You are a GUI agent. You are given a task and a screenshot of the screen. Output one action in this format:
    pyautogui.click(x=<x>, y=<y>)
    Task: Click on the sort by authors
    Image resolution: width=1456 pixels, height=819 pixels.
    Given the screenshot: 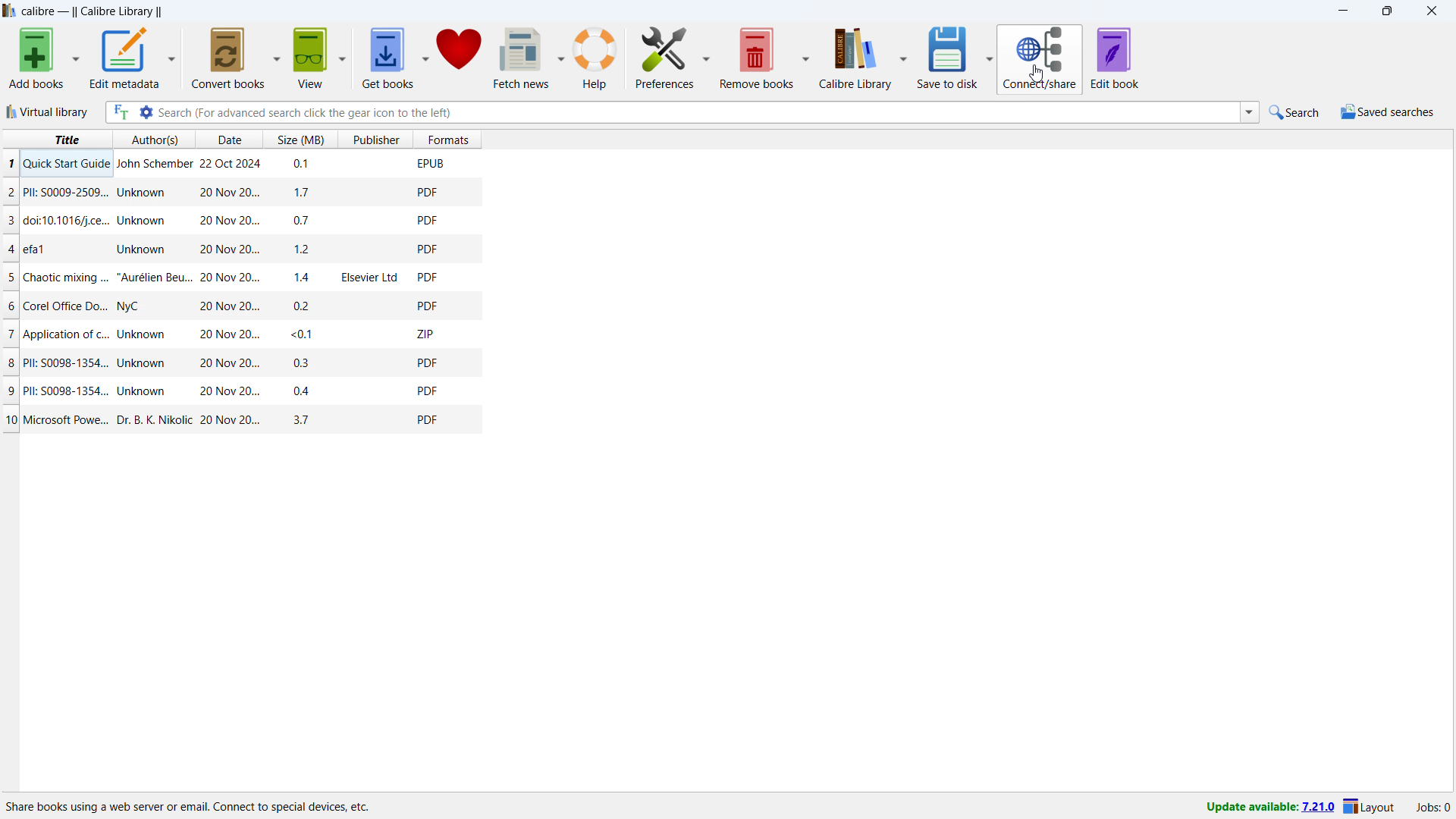 What is the action you would take?
    pyautogui.click(x=155, y=139)
    